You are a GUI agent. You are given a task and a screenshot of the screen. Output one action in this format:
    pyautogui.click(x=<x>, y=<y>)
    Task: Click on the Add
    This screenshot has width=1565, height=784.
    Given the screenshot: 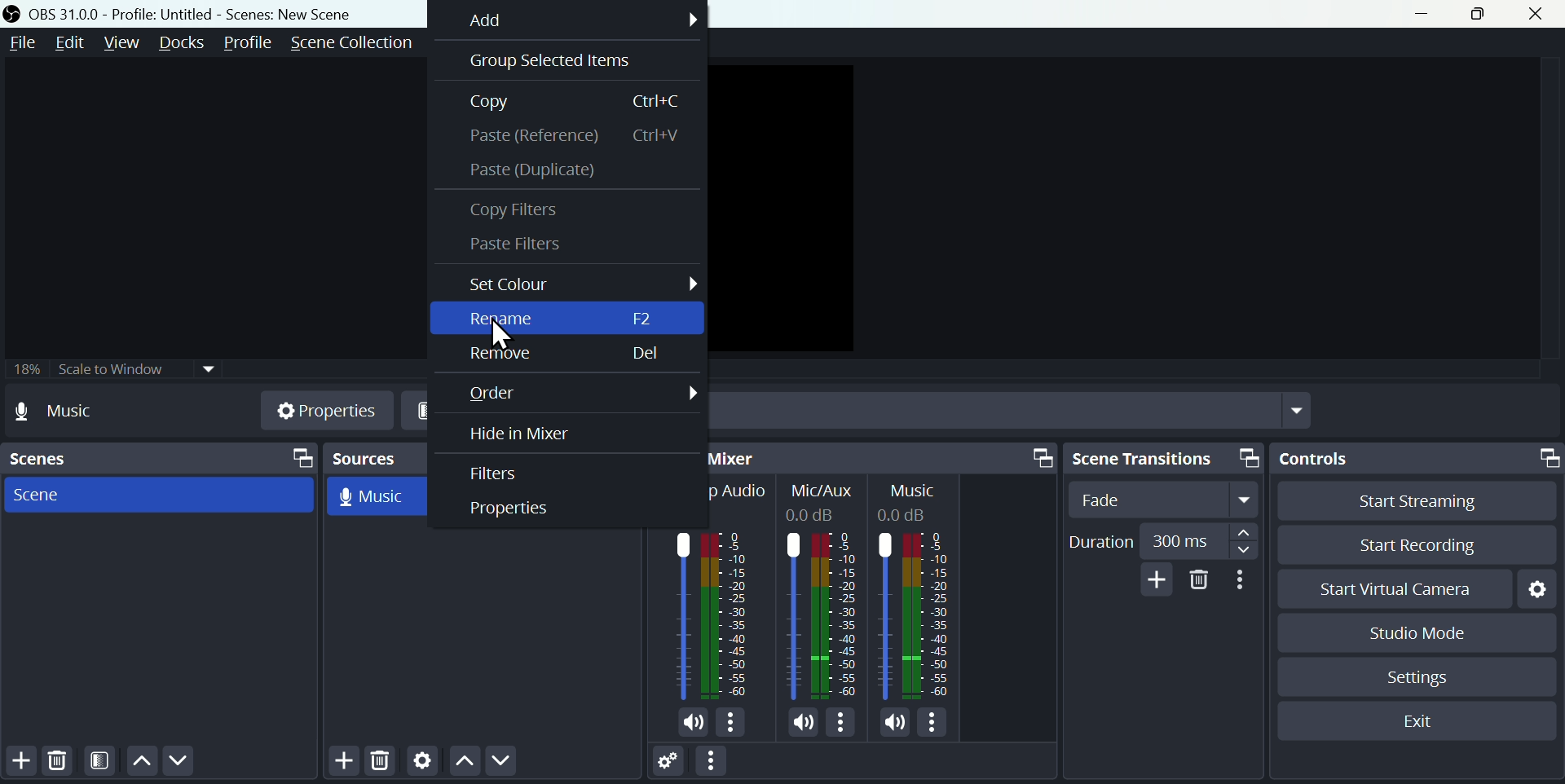 What is the action you would take?
    pyautogui.click(x=23, y=765)
    